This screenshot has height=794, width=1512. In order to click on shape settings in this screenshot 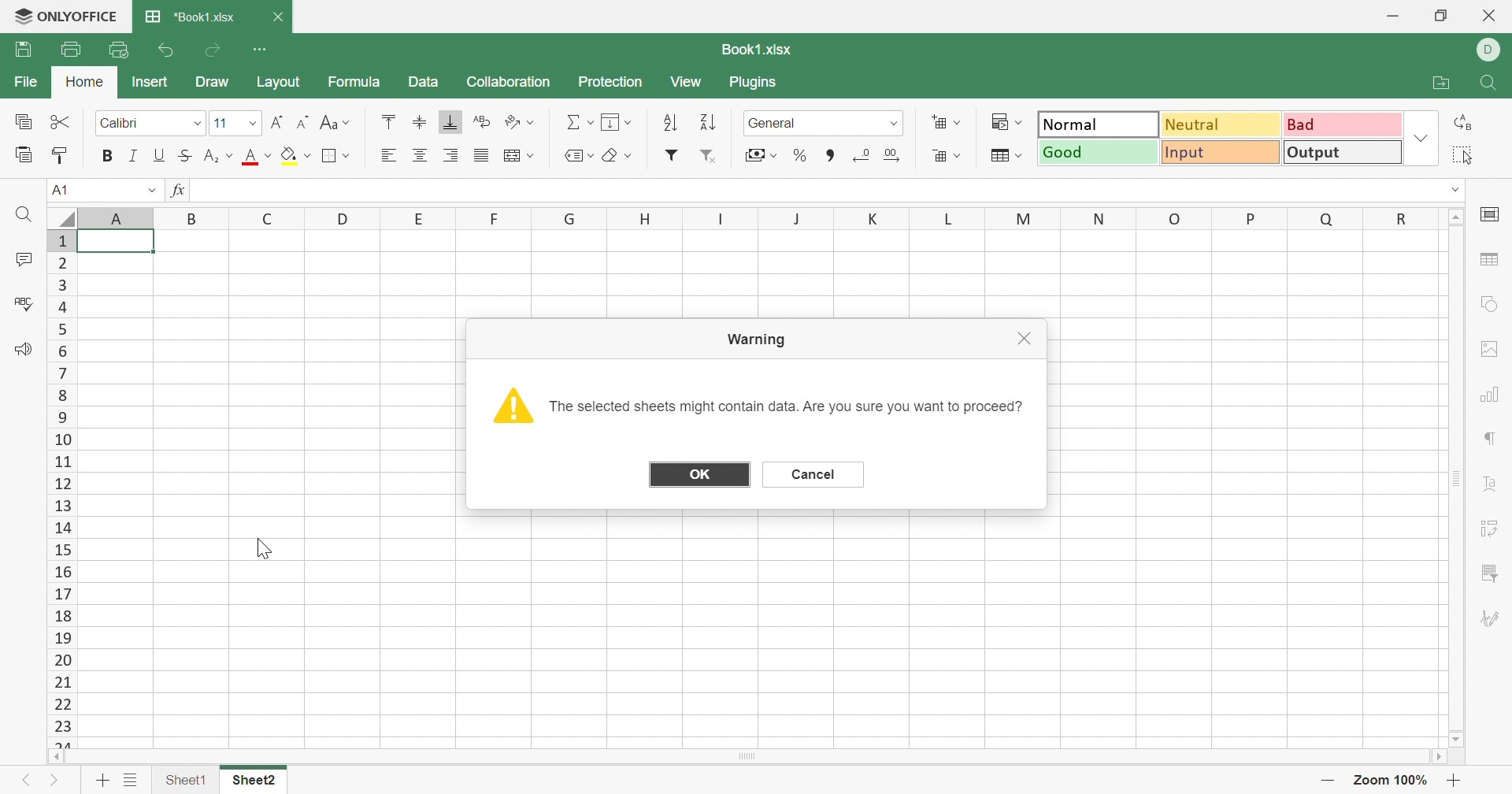, I will do `click(1487, 307)`.